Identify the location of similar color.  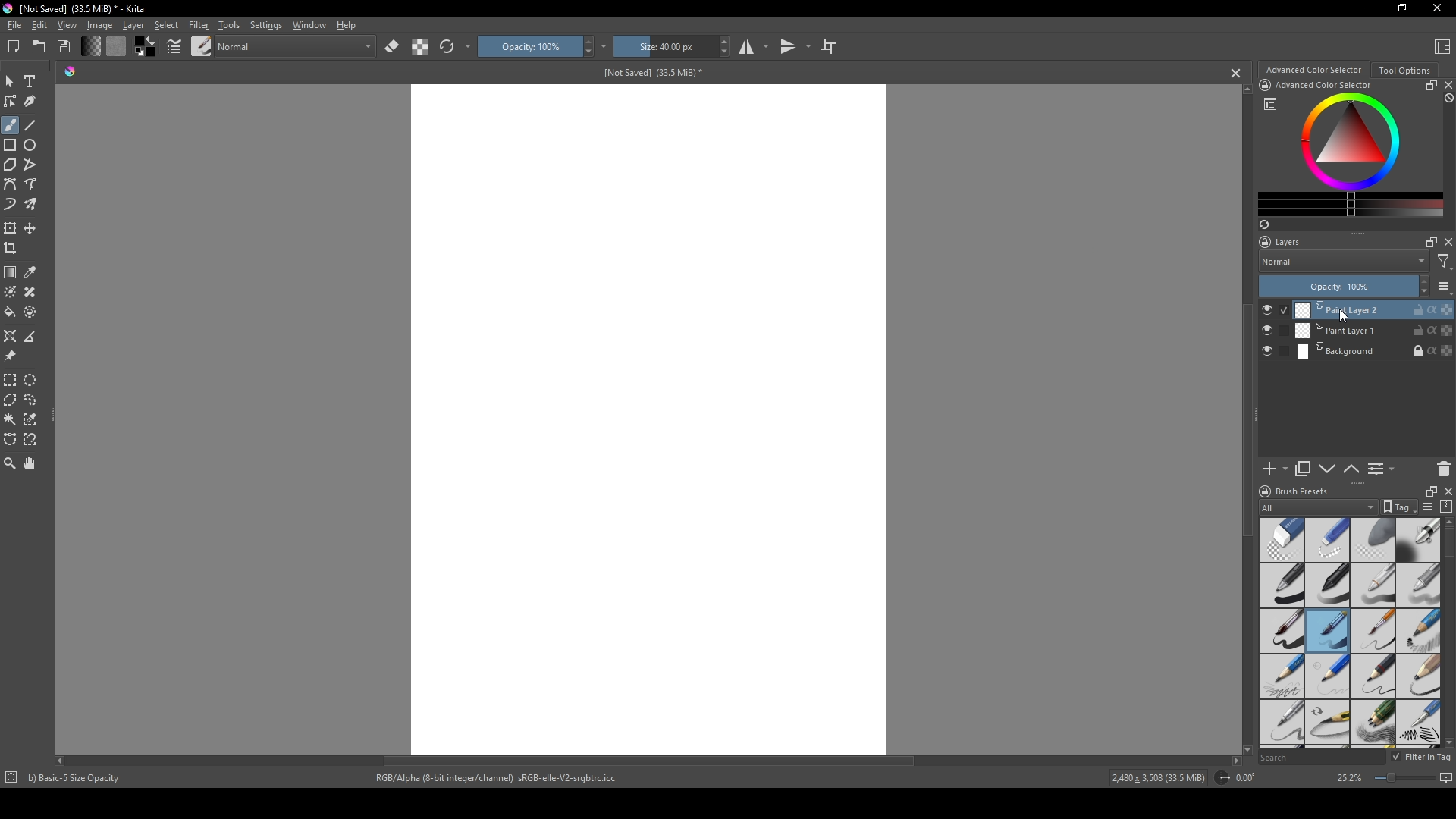
(33, 419).